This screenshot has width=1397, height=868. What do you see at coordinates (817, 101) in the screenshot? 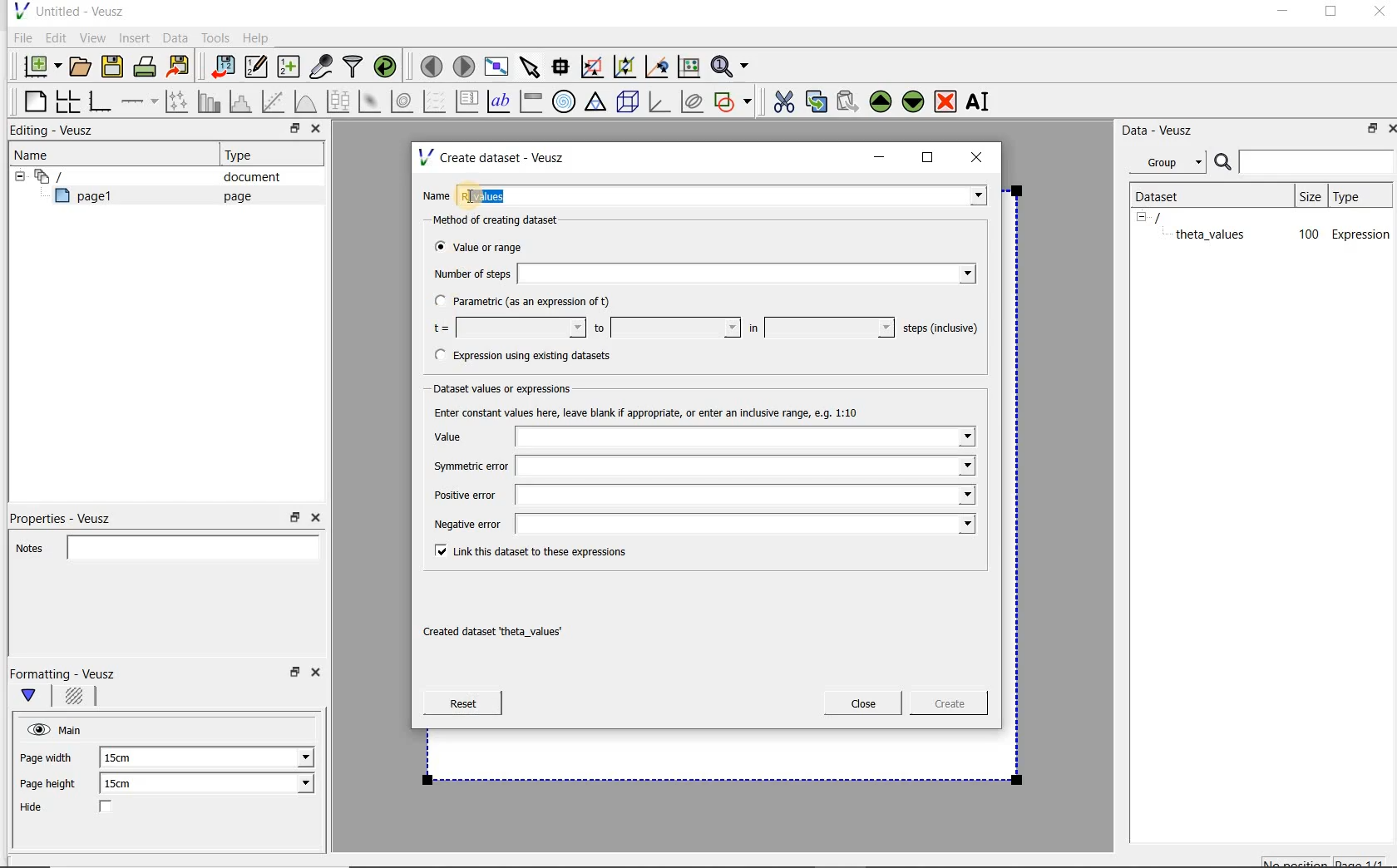
I see `copy the selected widget` at bounding box center [817, 101].